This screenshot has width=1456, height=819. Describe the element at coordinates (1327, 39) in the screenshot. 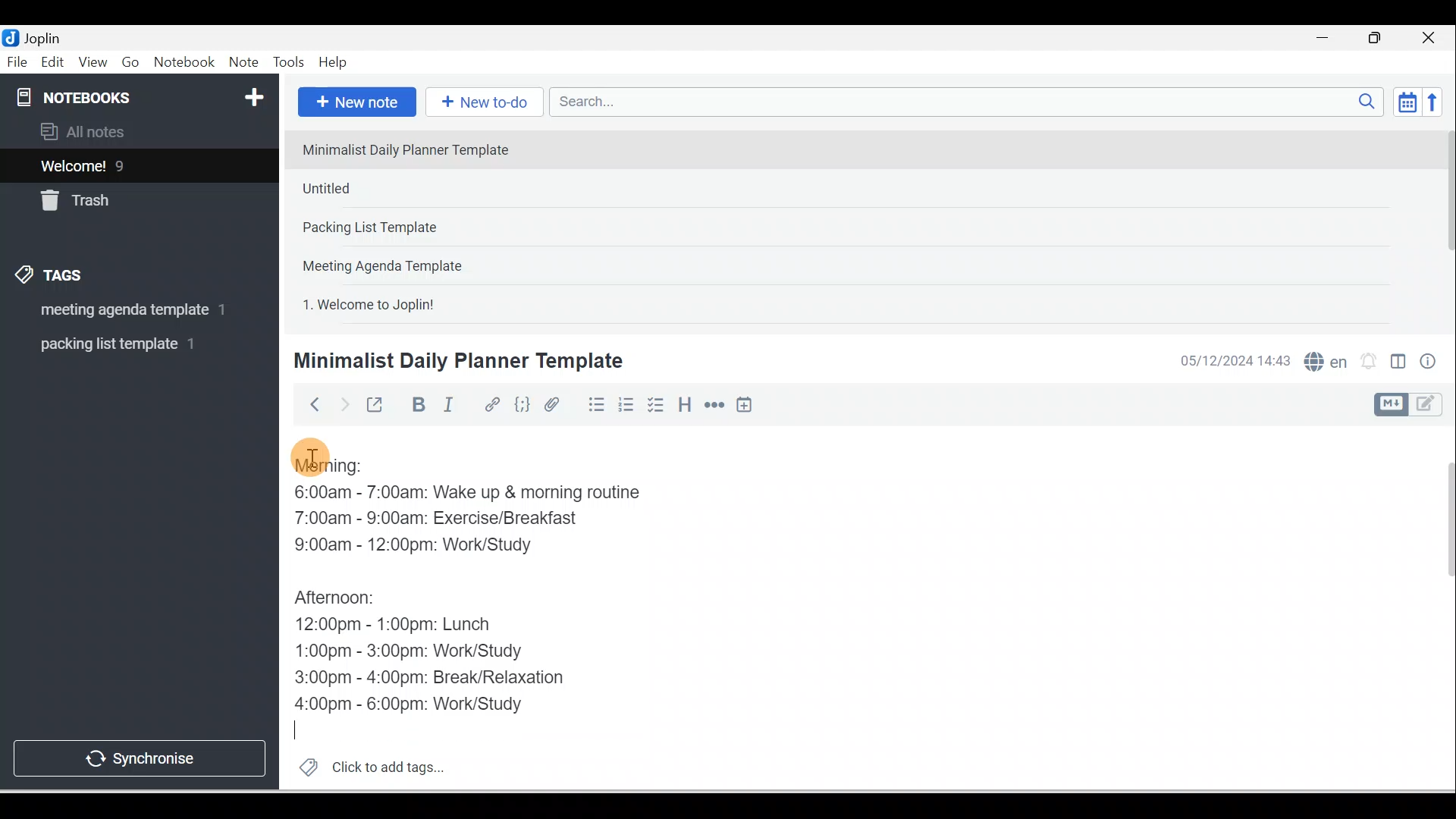

I see `Minimise` at that location.